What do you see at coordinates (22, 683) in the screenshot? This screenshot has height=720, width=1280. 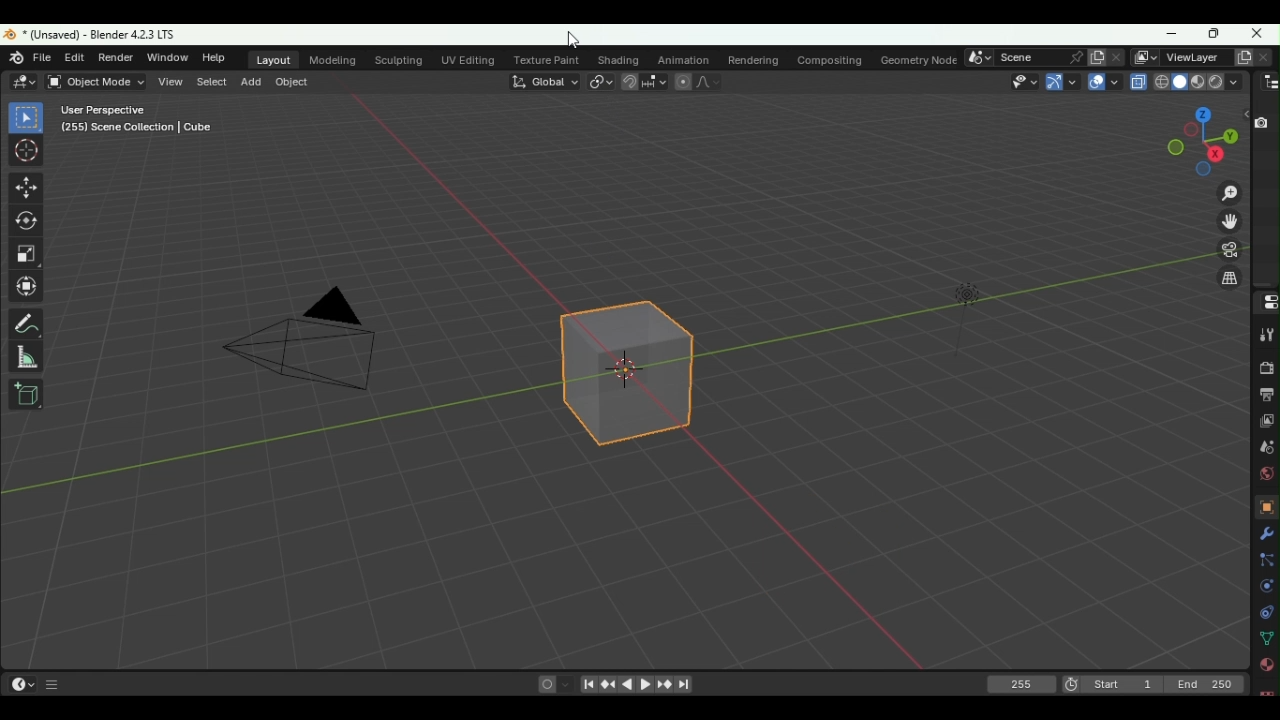 I see `Editor type` at bounding box center [22, 683].